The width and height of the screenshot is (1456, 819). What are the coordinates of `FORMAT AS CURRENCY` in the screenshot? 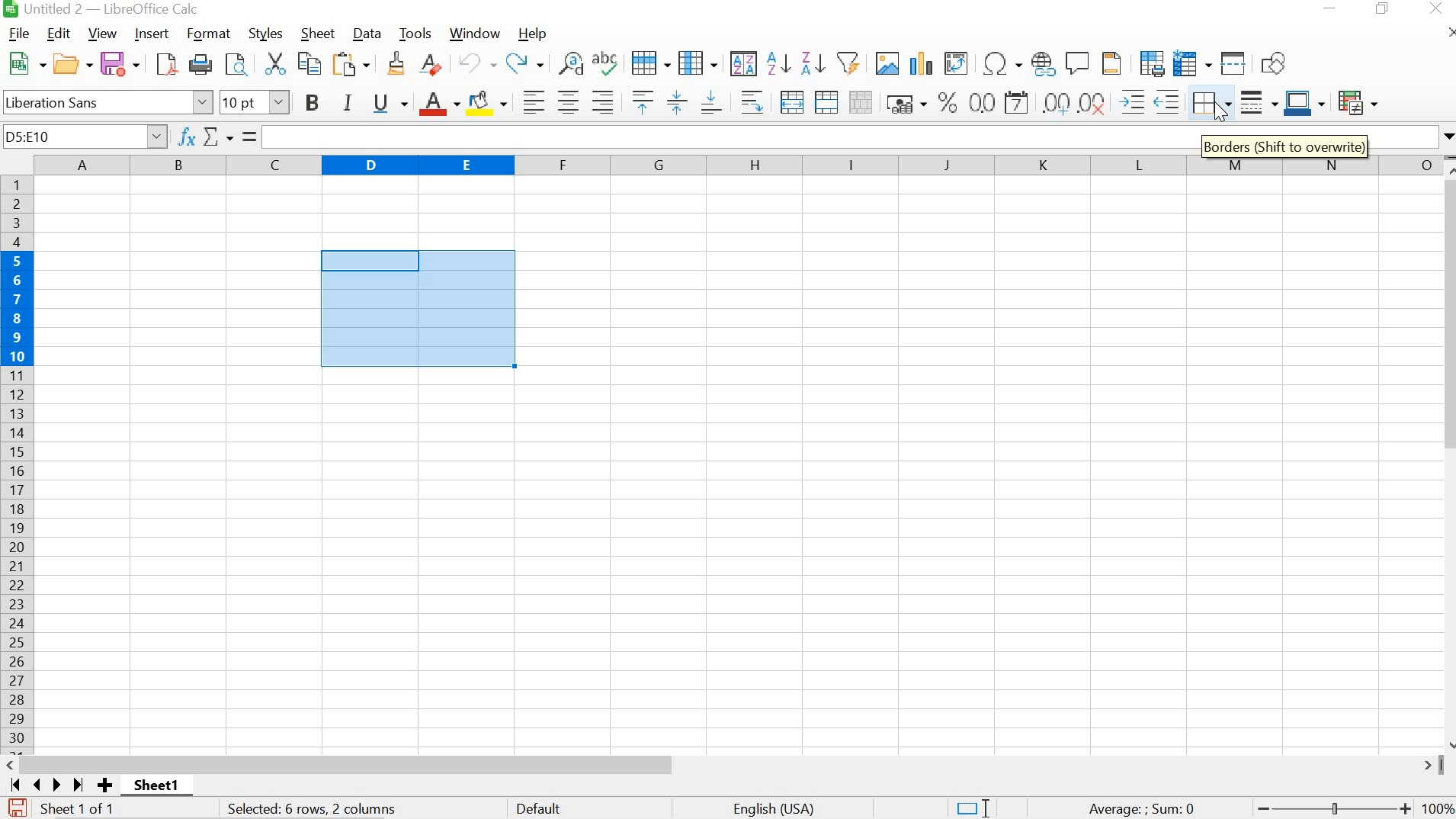 It's located at (906, 104).